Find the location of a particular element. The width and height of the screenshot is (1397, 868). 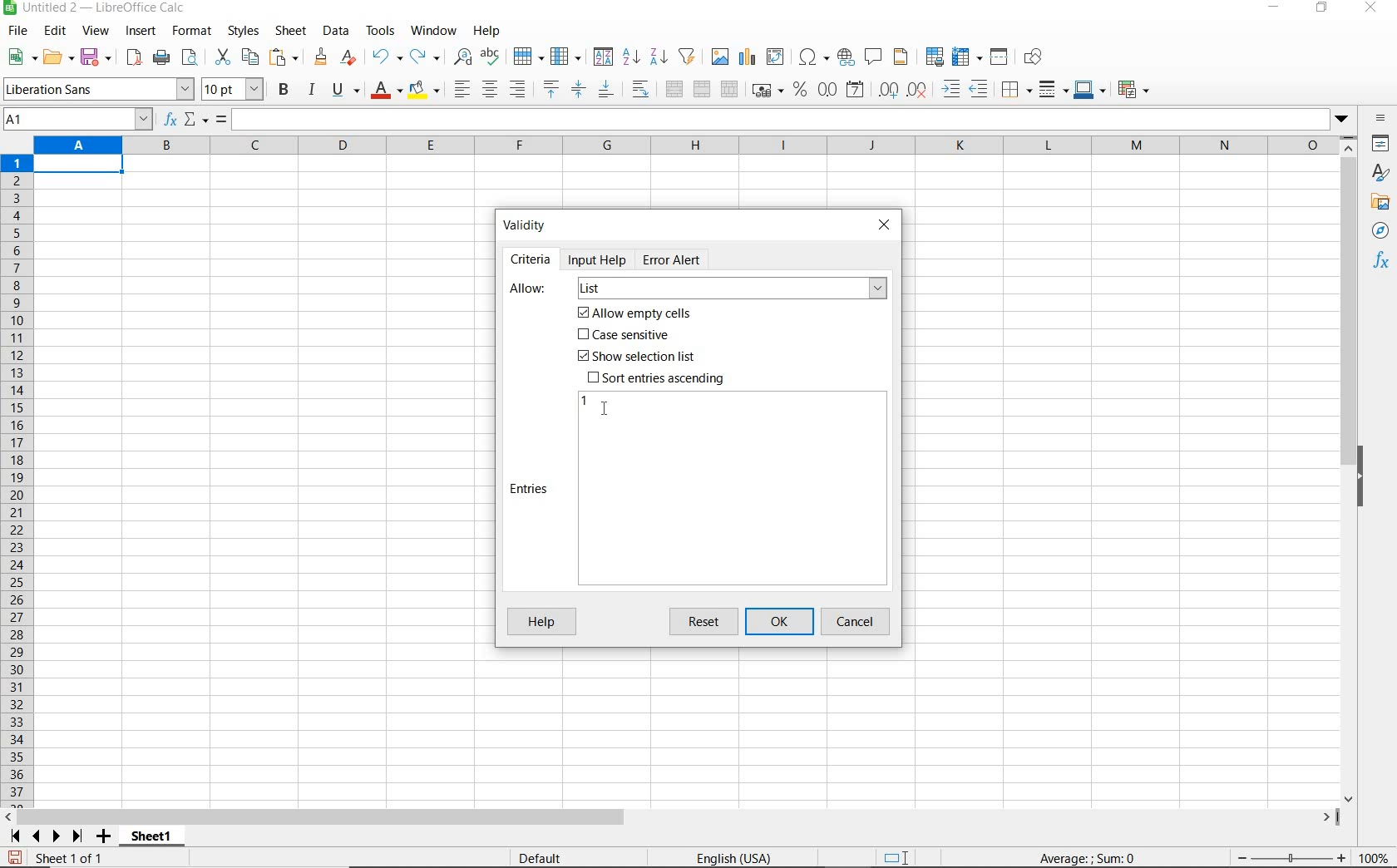

styles is located at coordinates (1381, 175).